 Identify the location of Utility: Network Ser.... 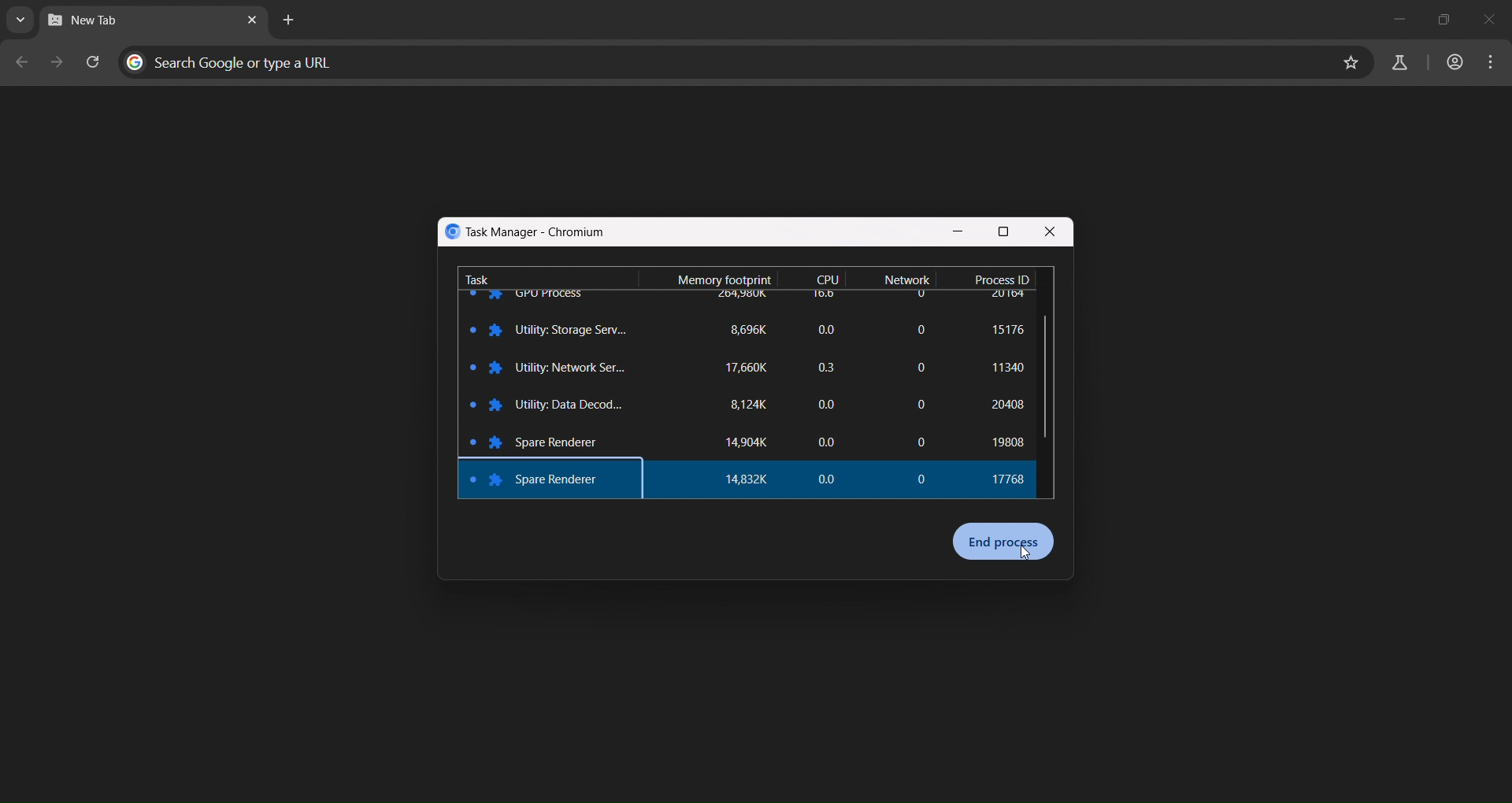
(573, 369).